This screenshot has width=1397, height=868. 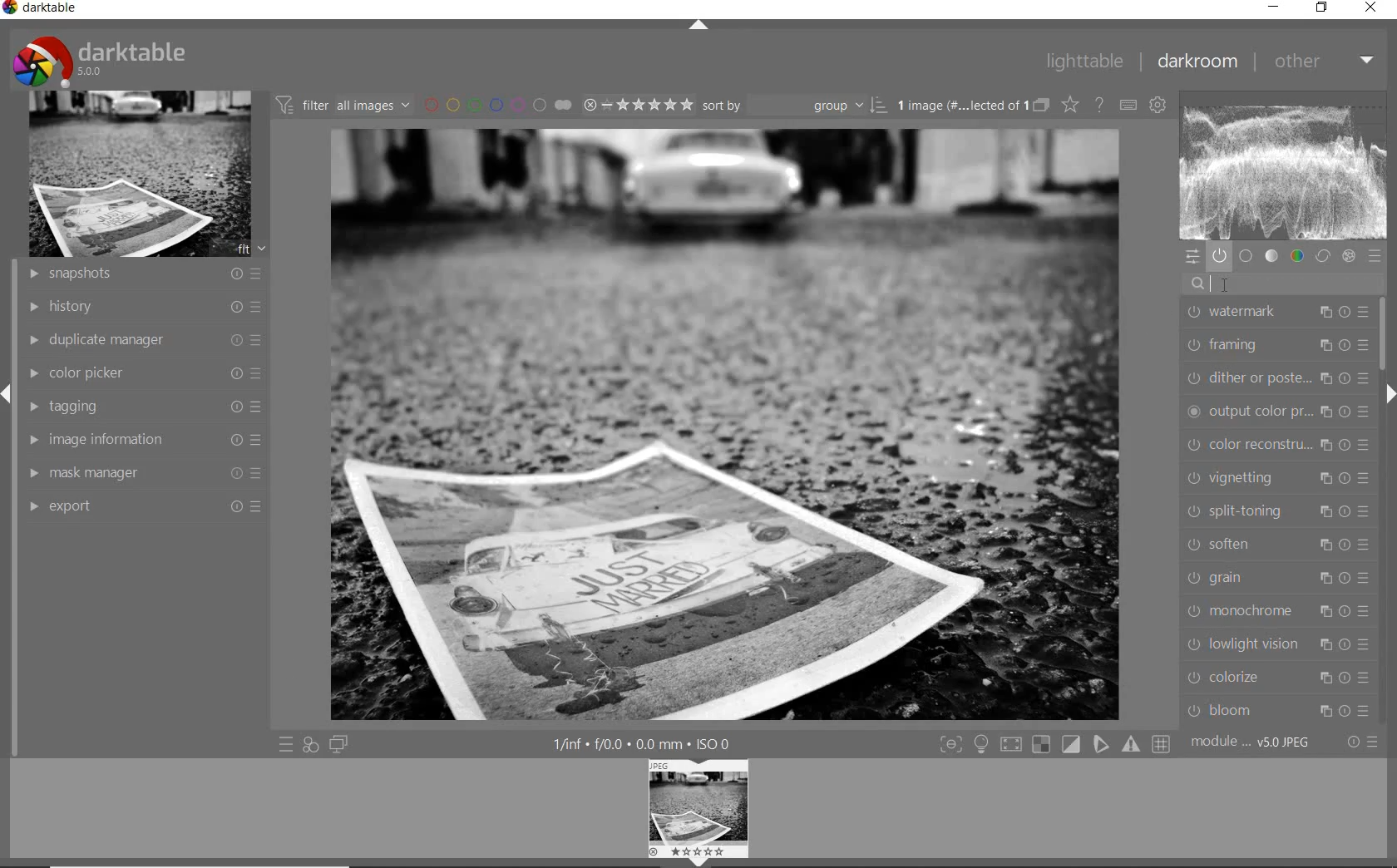 What do you see at coordinates (310, 744) in the screenshot?
I see `quick access for applying any of style` at bounding box center [310, 744].